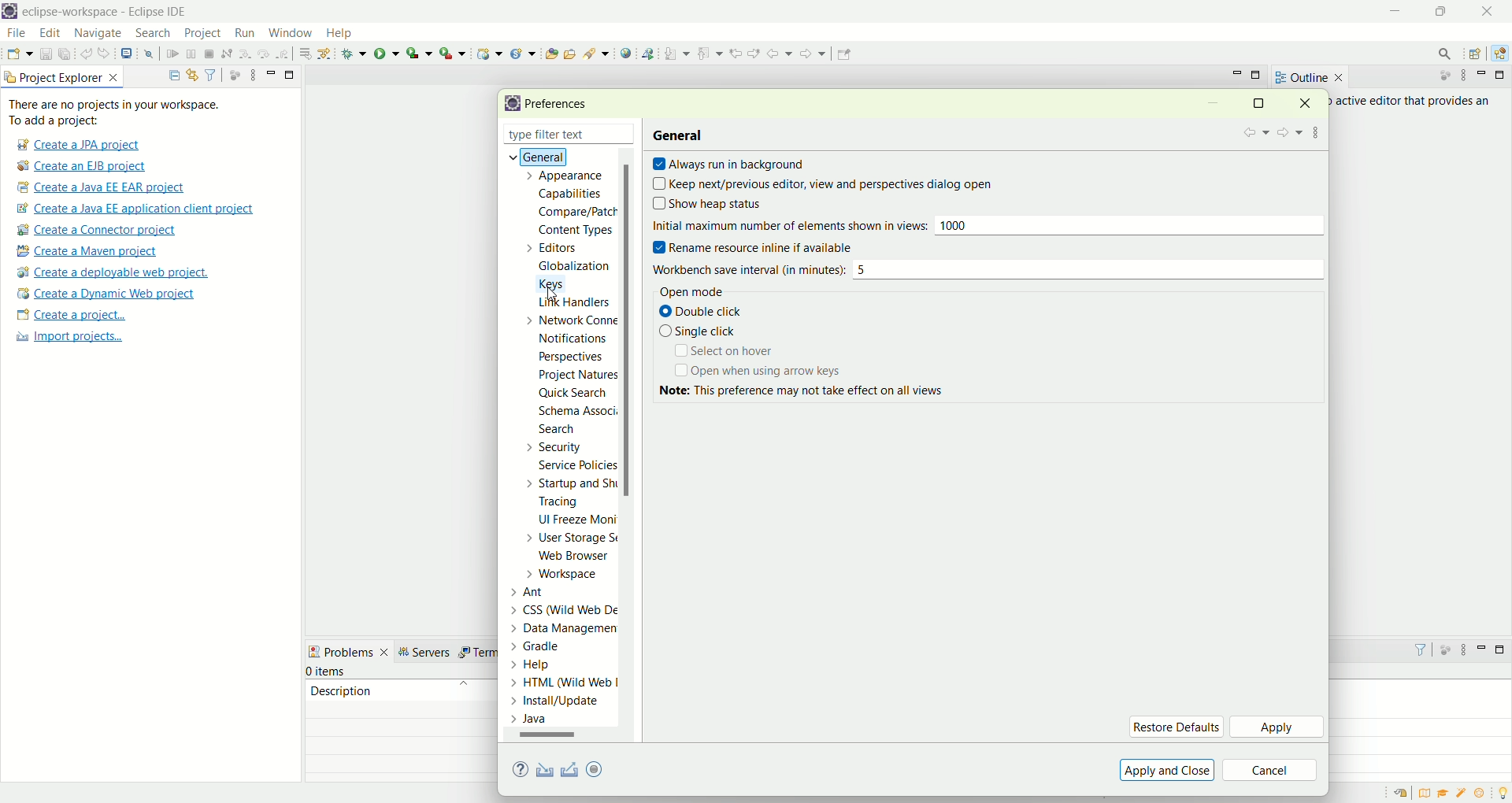 The width and height of the screenshot is (1512, 803). What do you see at coordinates (561, 247) in the screenshot?
I see `editors` at bounding box center [561, 247].